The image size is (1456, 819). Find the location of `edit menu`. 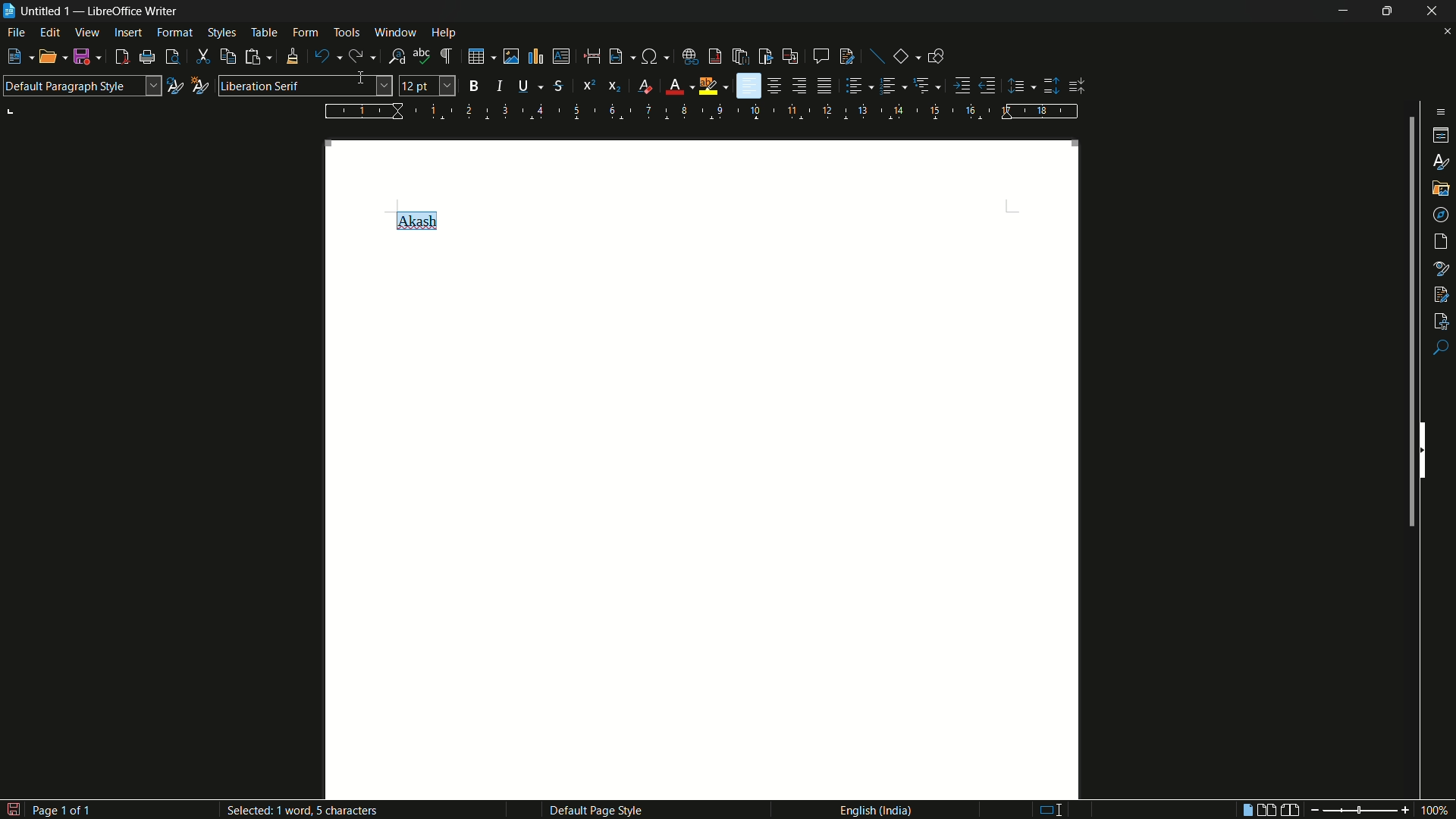

edit menu is located at coordinates (52, 33).